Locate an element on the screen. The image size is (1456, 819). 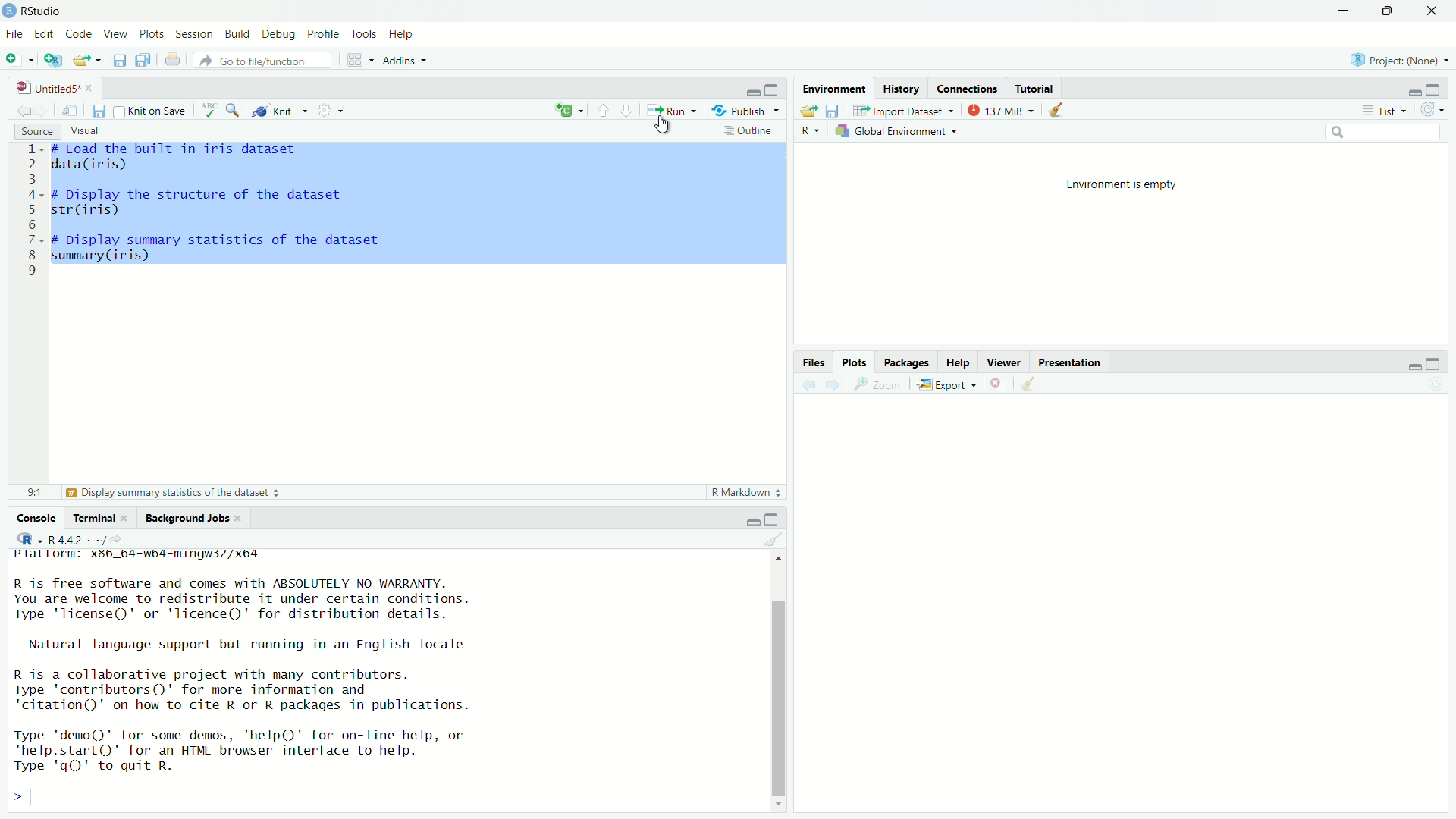
View is located at coordinates (115, 33).